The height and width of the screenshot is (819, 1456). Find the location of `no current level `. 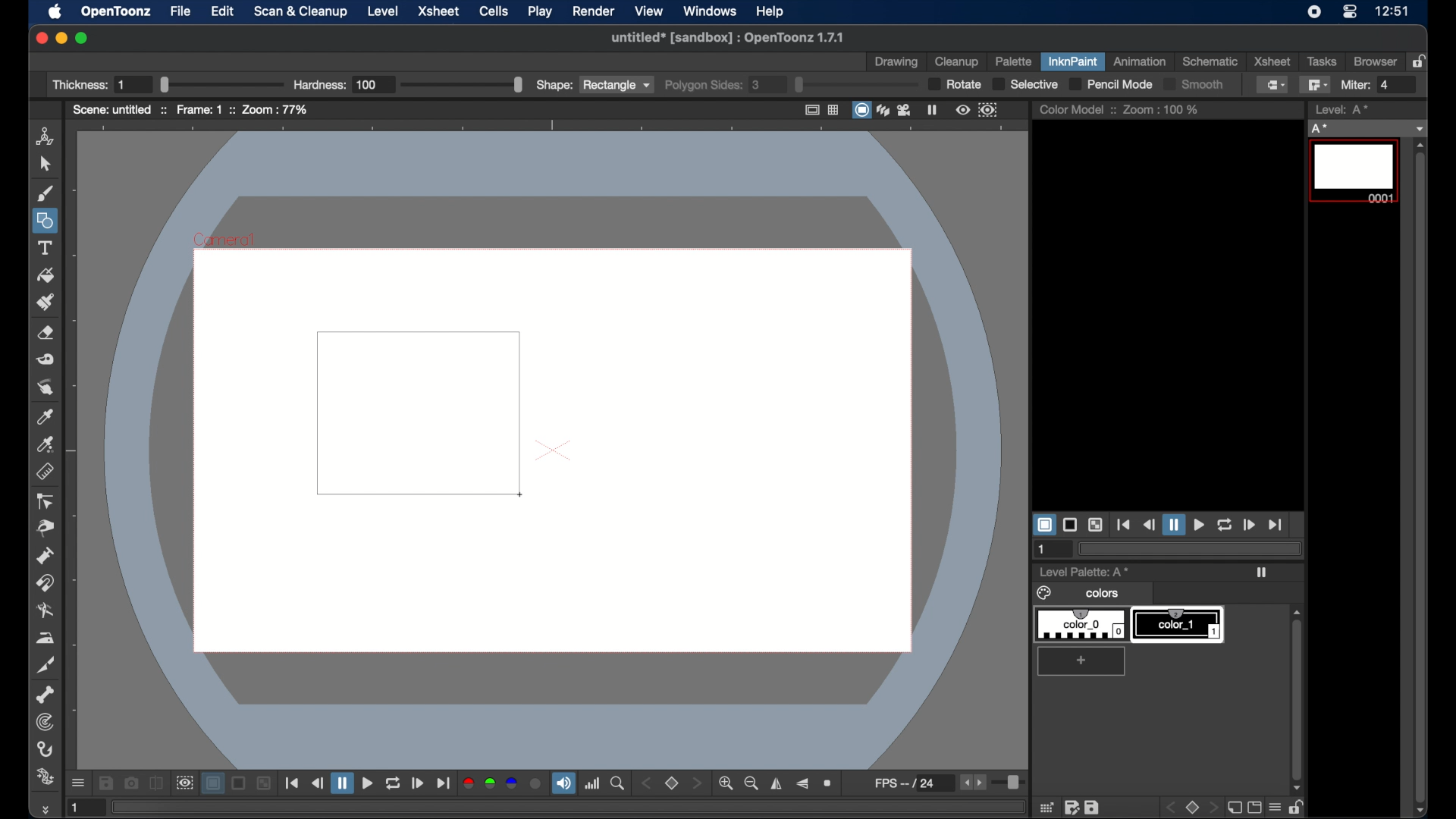

no current level  is located at coordinates (1366, 129).